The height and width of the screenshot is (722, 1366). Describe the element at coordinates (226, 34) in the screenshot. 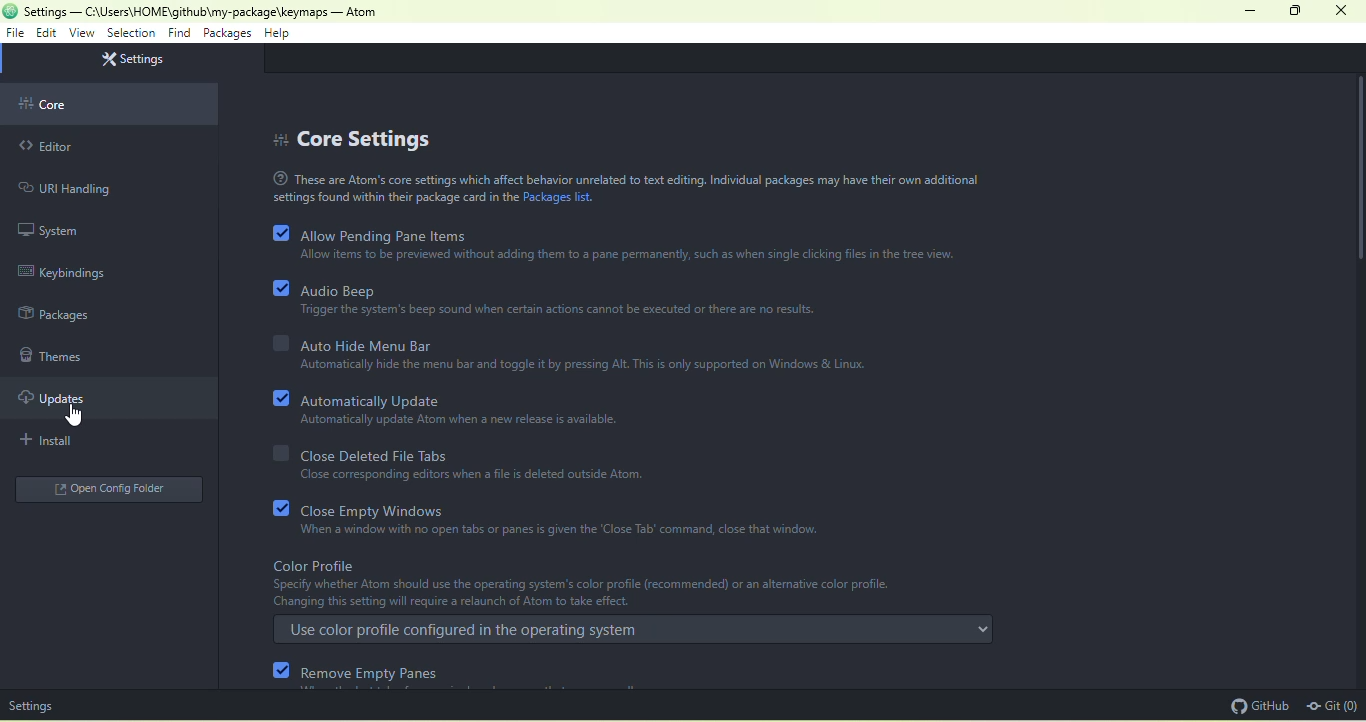

I see `packages` at that location.